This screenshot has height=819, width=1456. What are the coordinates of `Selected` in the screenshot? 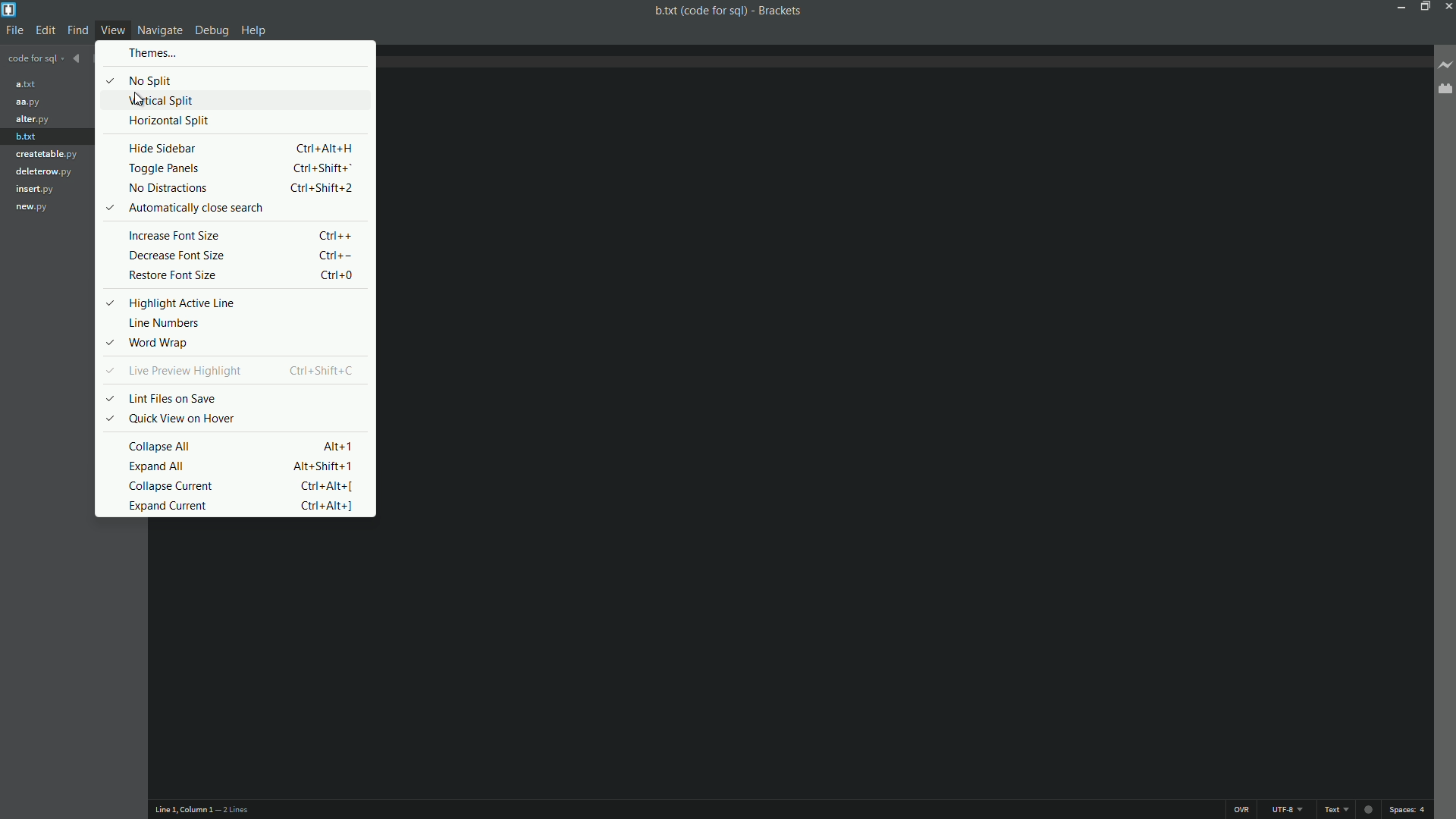 It's located at (108, 304).